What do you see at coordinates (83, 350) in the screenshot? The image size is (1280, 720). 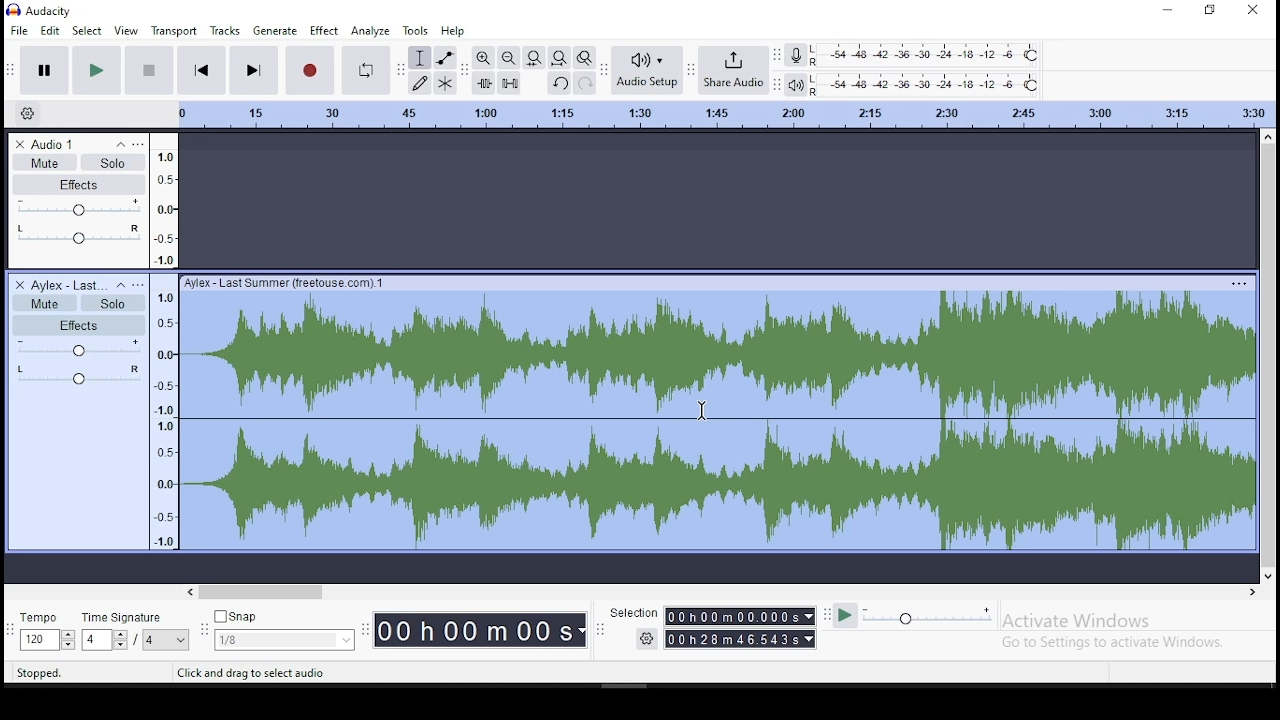 I see `volume` at bounding box center [83, 350].